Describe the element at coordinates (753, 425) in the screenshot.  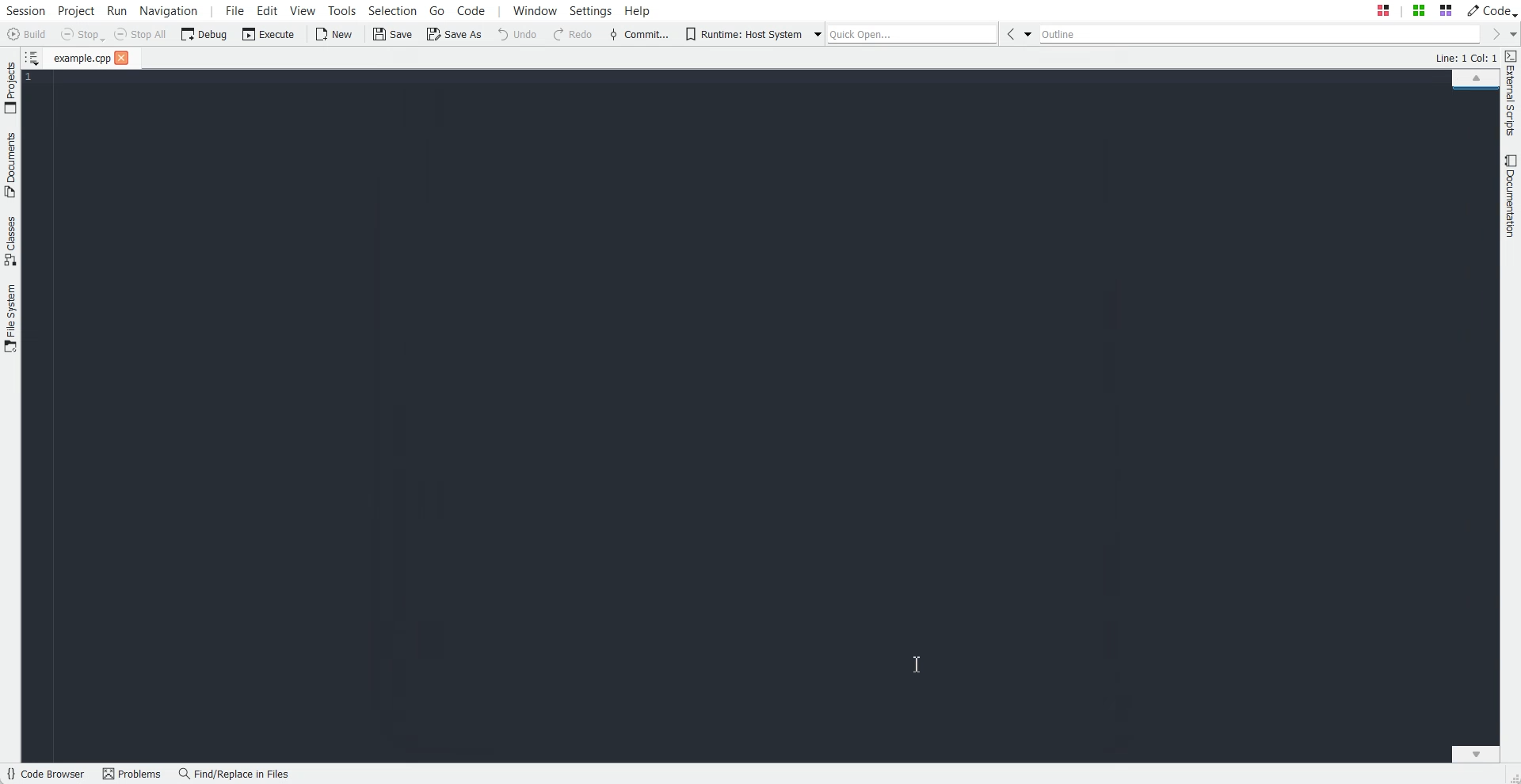
I see `Background color one dark` at that location.